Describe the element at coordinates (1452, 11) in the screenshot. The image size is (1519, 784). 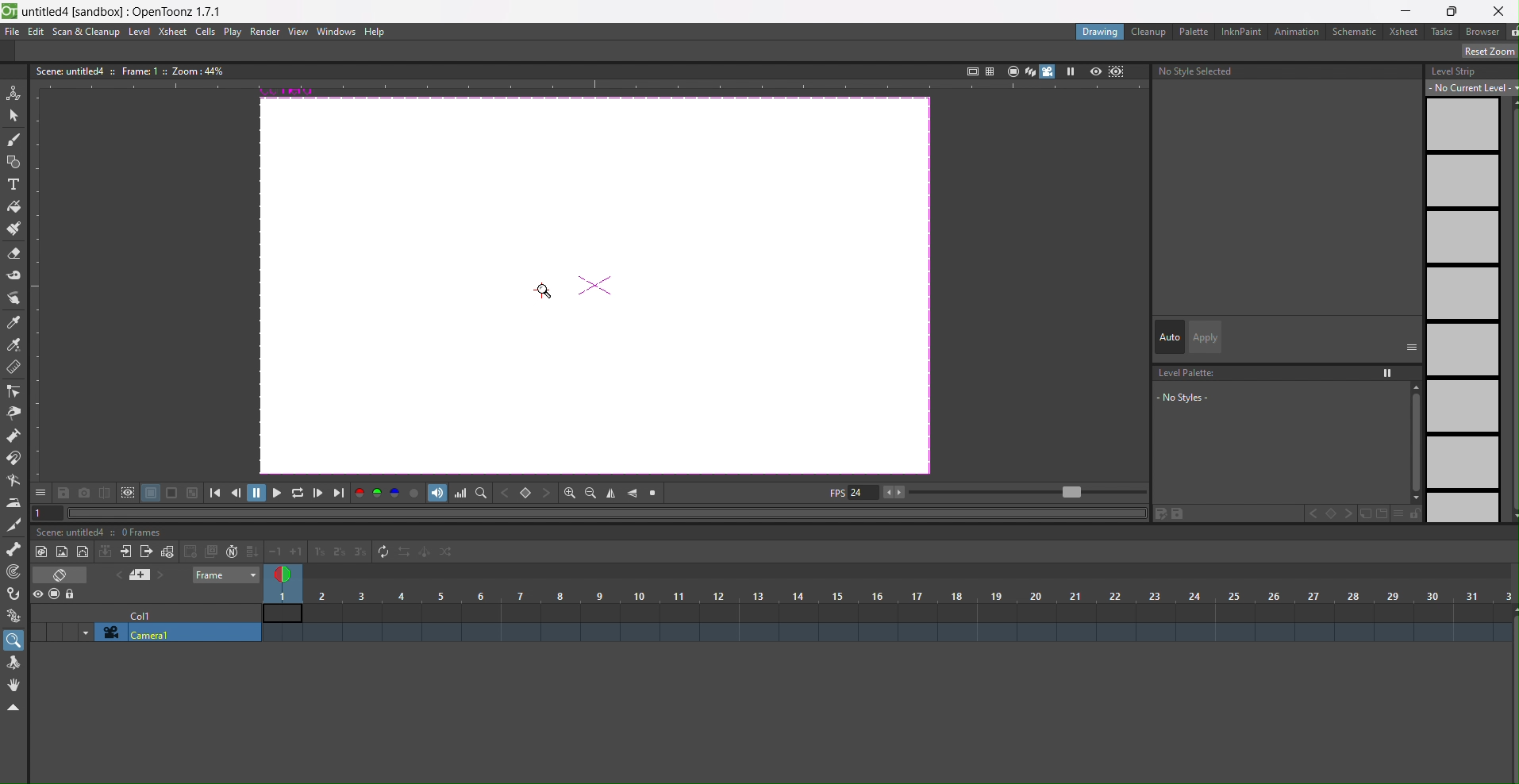
I see `restore window` at that location.